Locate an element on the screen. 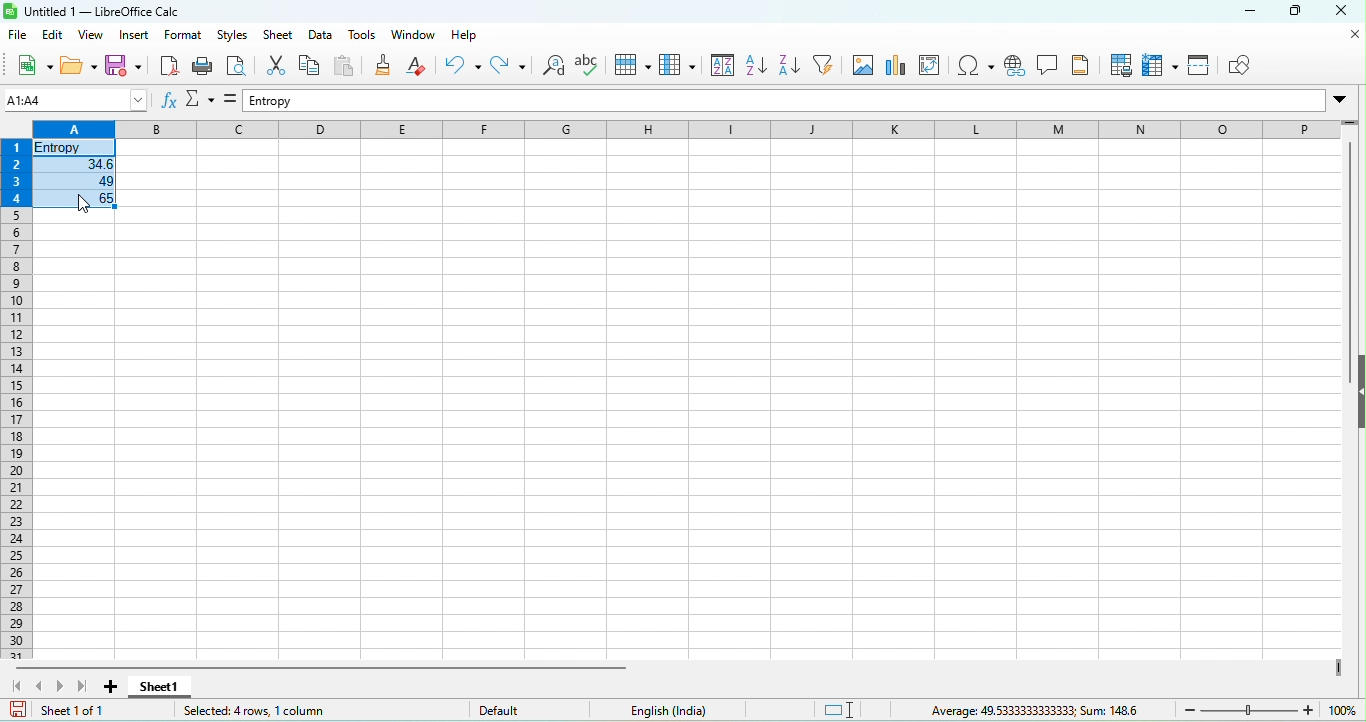  image is located at coordinates (865, 66).